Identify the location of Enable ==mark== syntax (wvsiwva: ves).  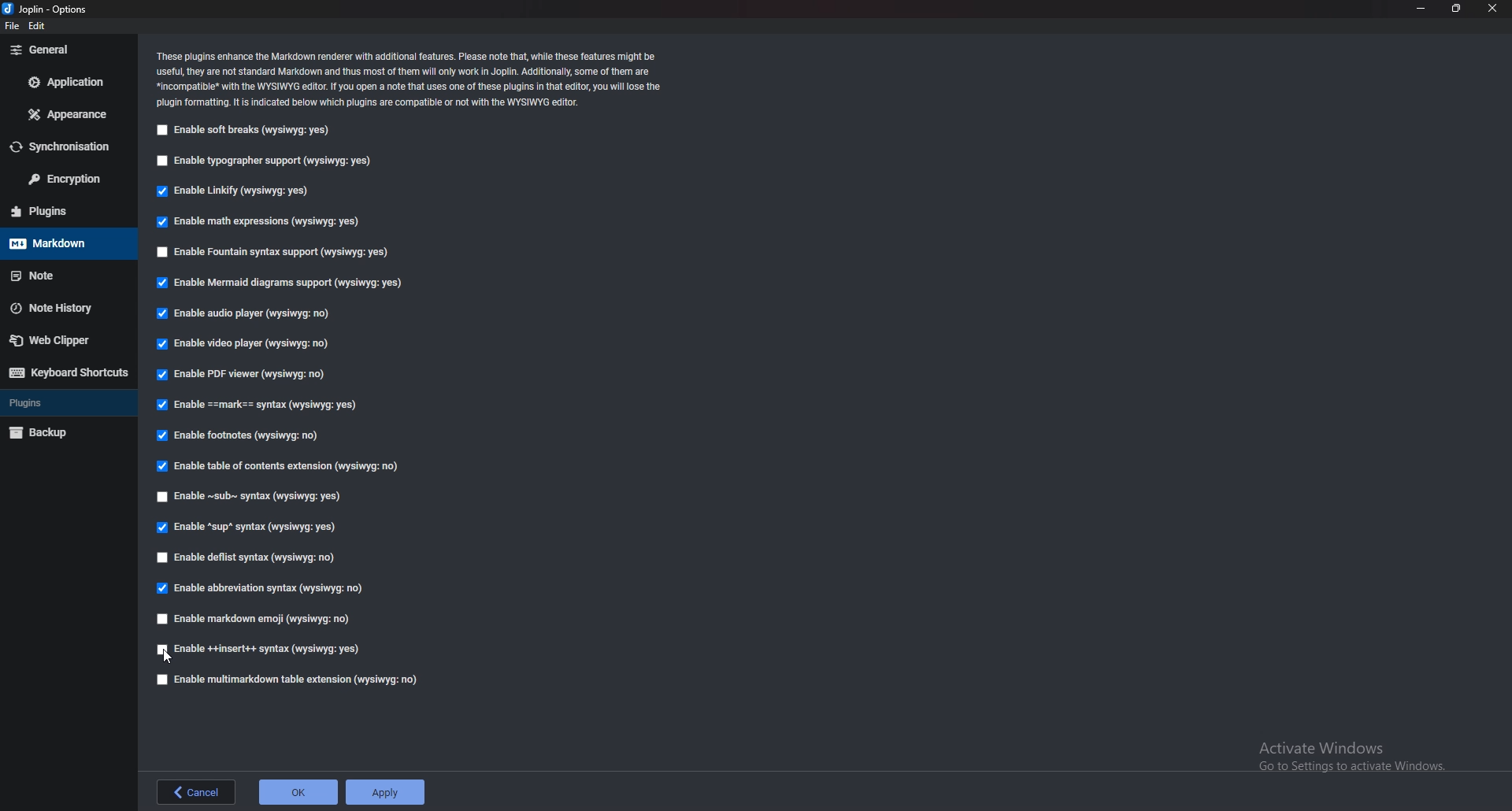
(261, 403).